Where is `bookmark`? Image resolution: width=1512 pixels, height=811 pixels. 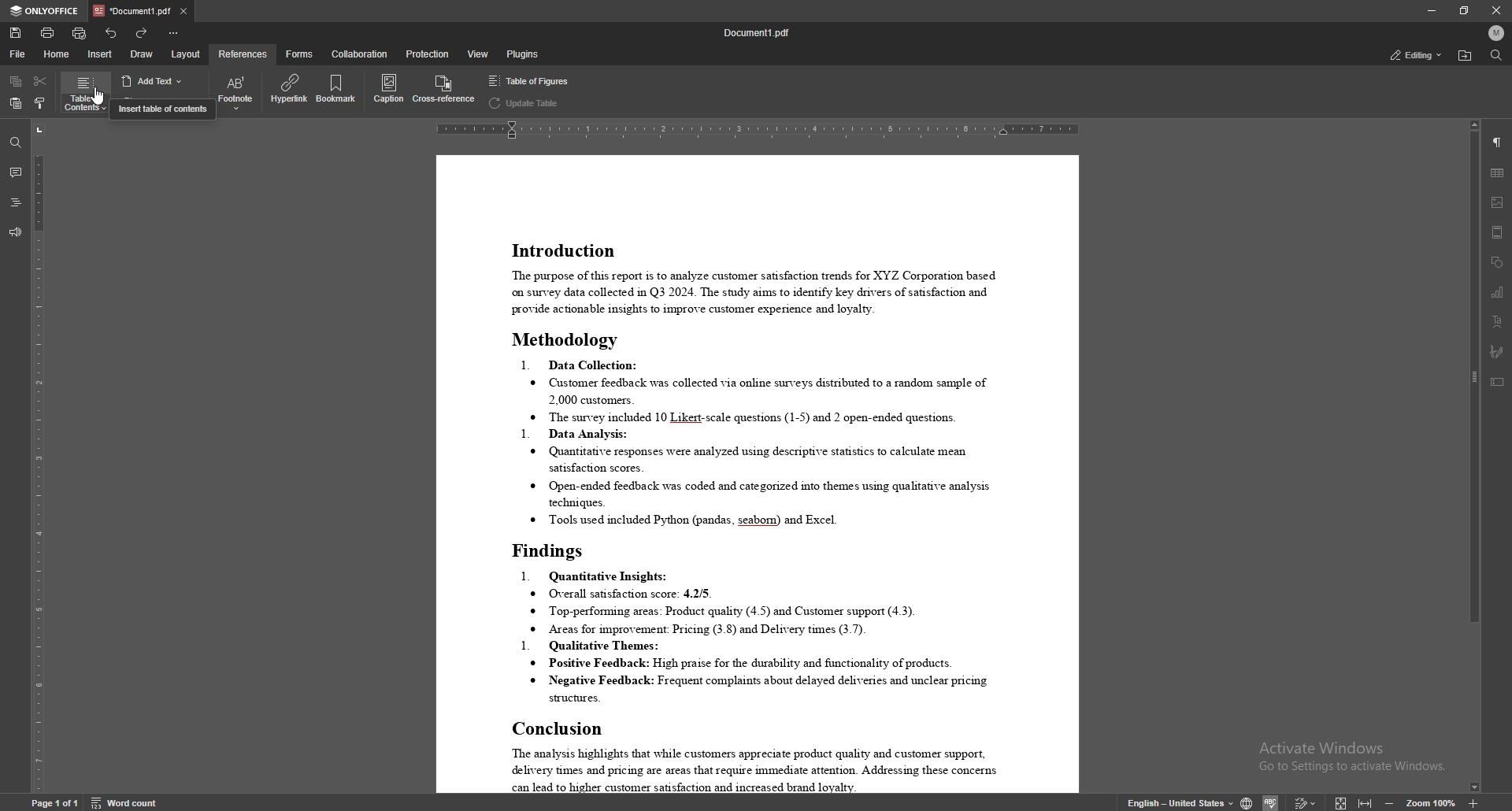
bookmark is located at coordinates (339, 90).